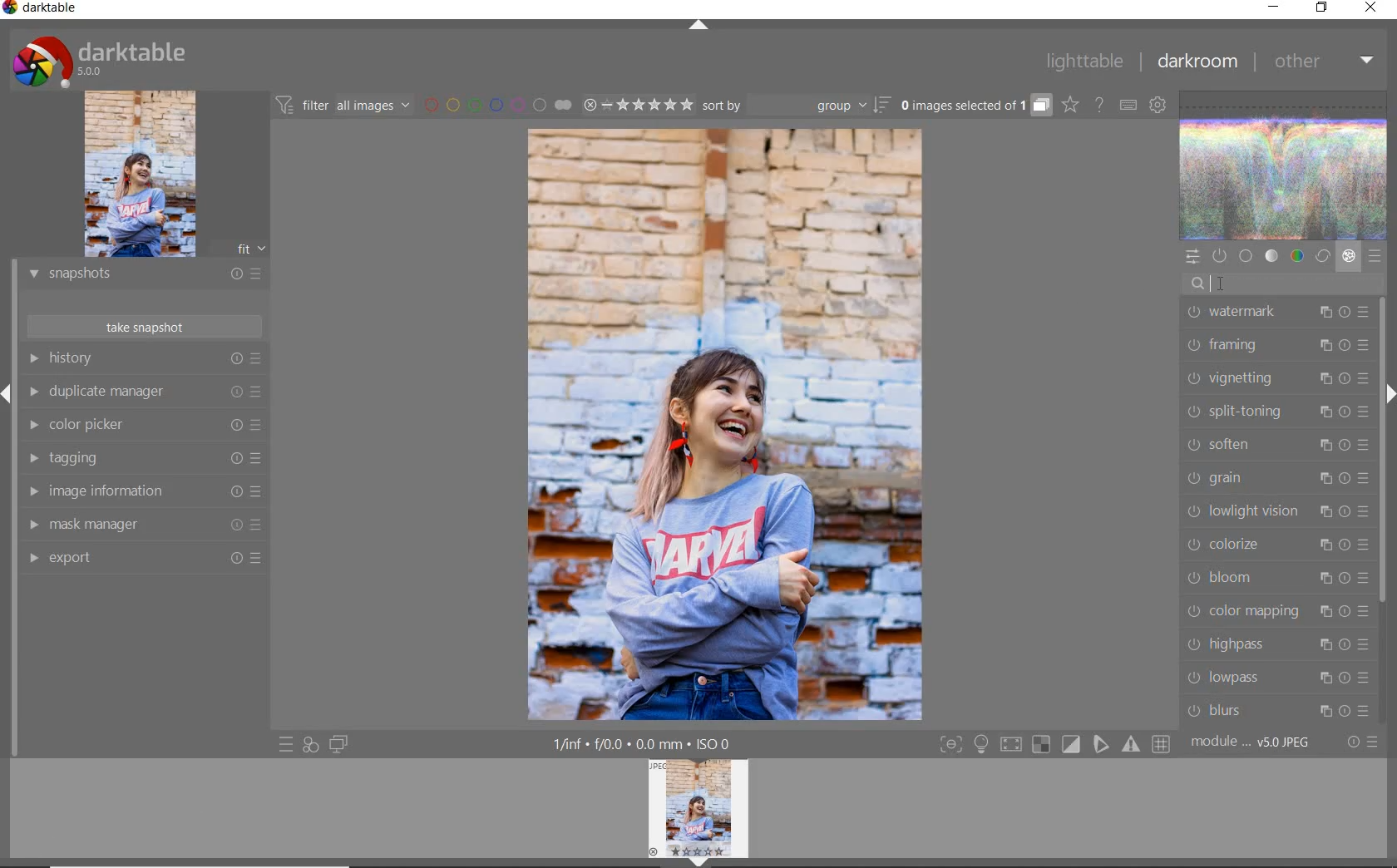 The height and width of the screenshot is (868, 1397). Describe the element at coordinates (1296, 257) in the screenshot. I see `color` at that location.